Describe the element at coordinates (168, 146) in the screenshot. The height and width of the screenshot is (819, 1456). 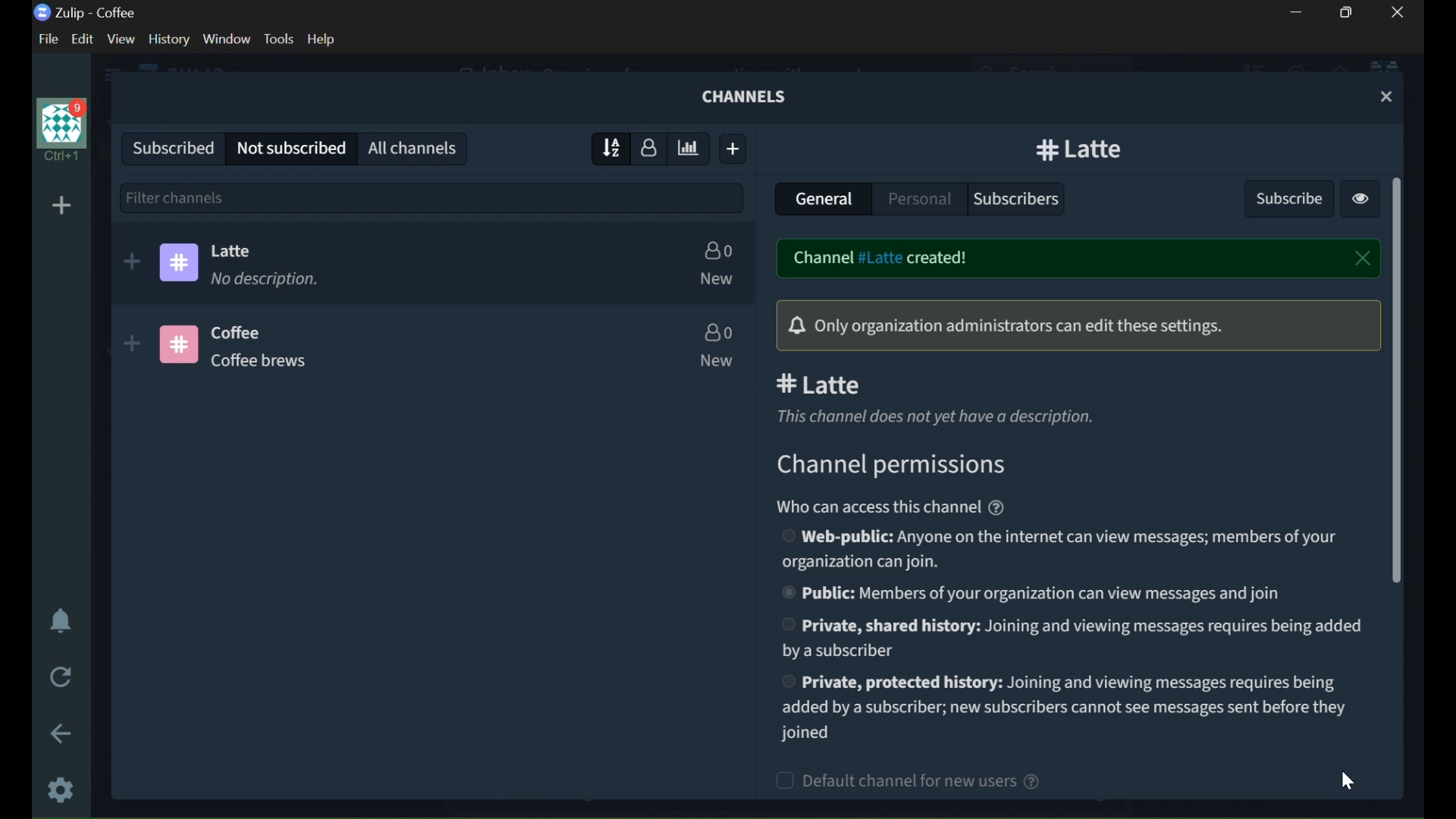
I see `SUBSCRIBED` at that location.